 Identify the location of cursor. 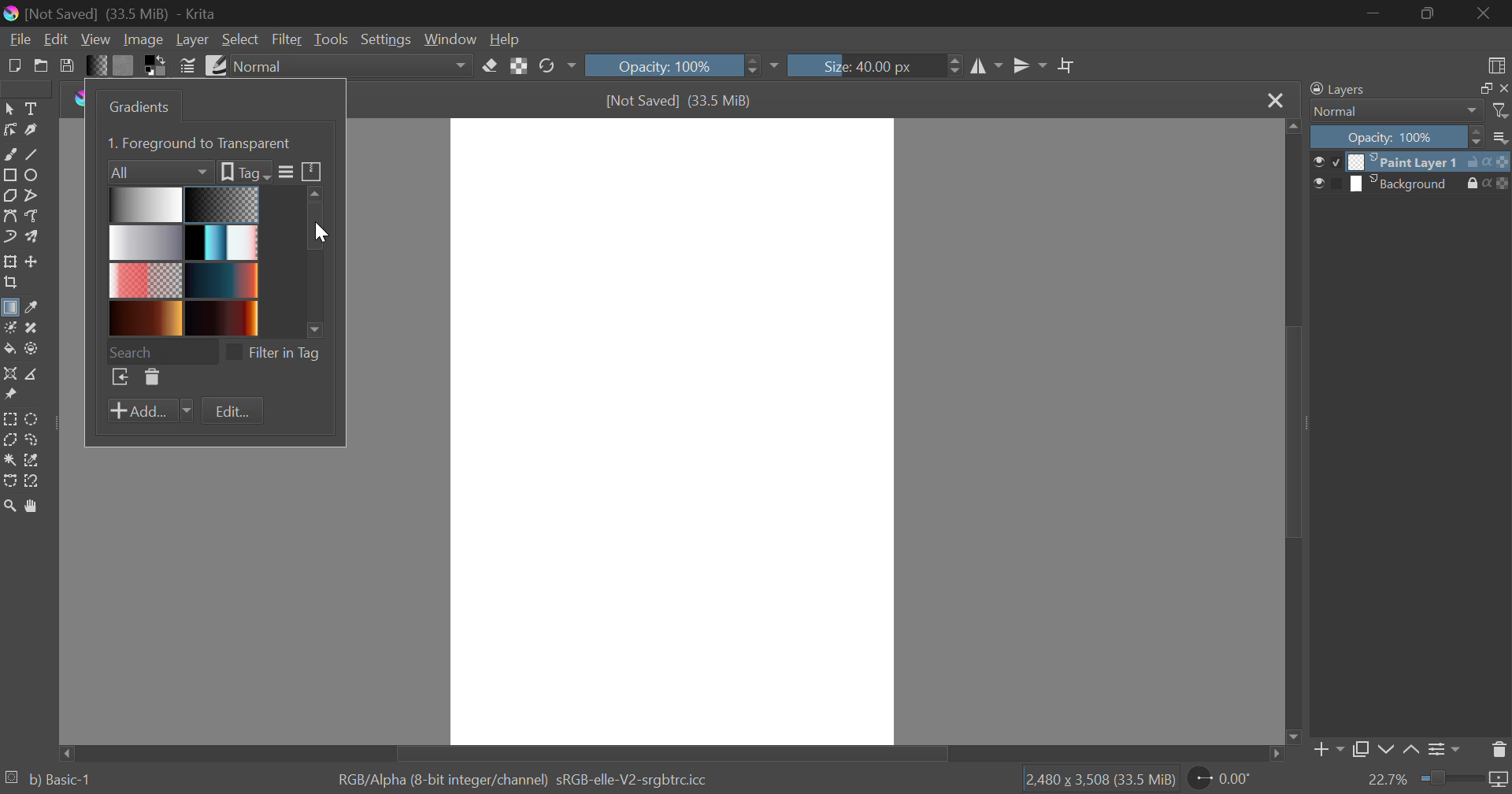
(321, 235).